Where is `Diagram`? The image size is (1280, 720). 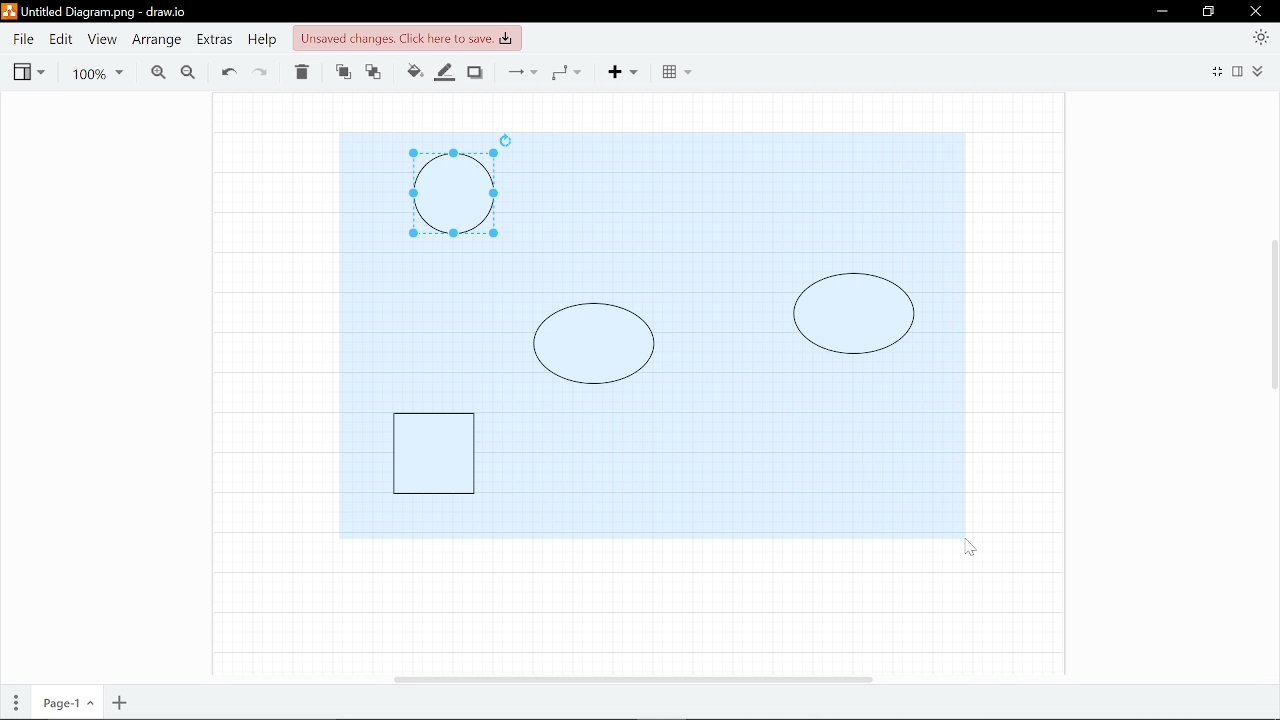 Diagram is located at coordinates (453, 194).